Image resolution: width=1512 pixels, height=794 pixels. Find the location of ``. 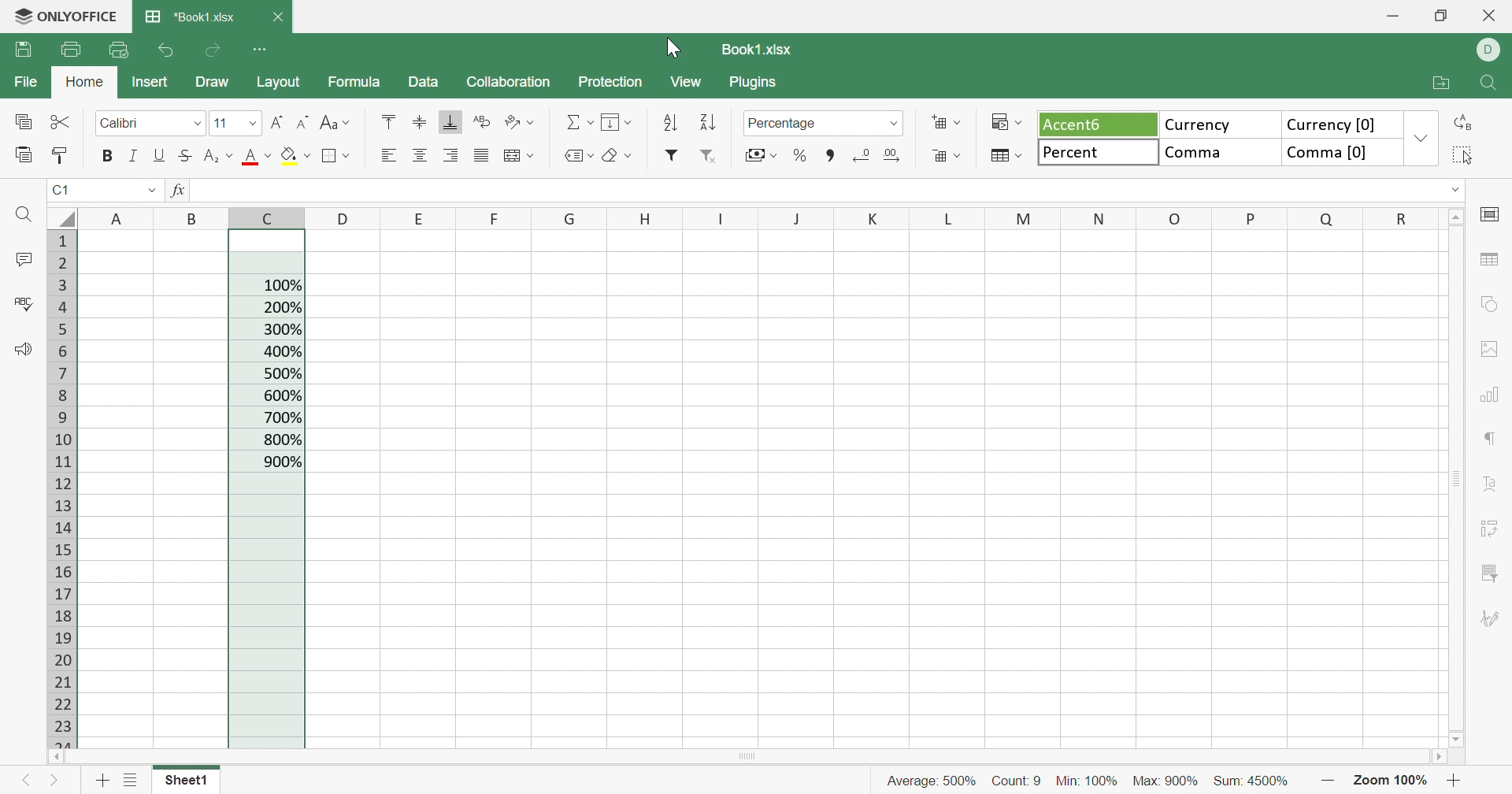

 is located at coordinates (341, 220).